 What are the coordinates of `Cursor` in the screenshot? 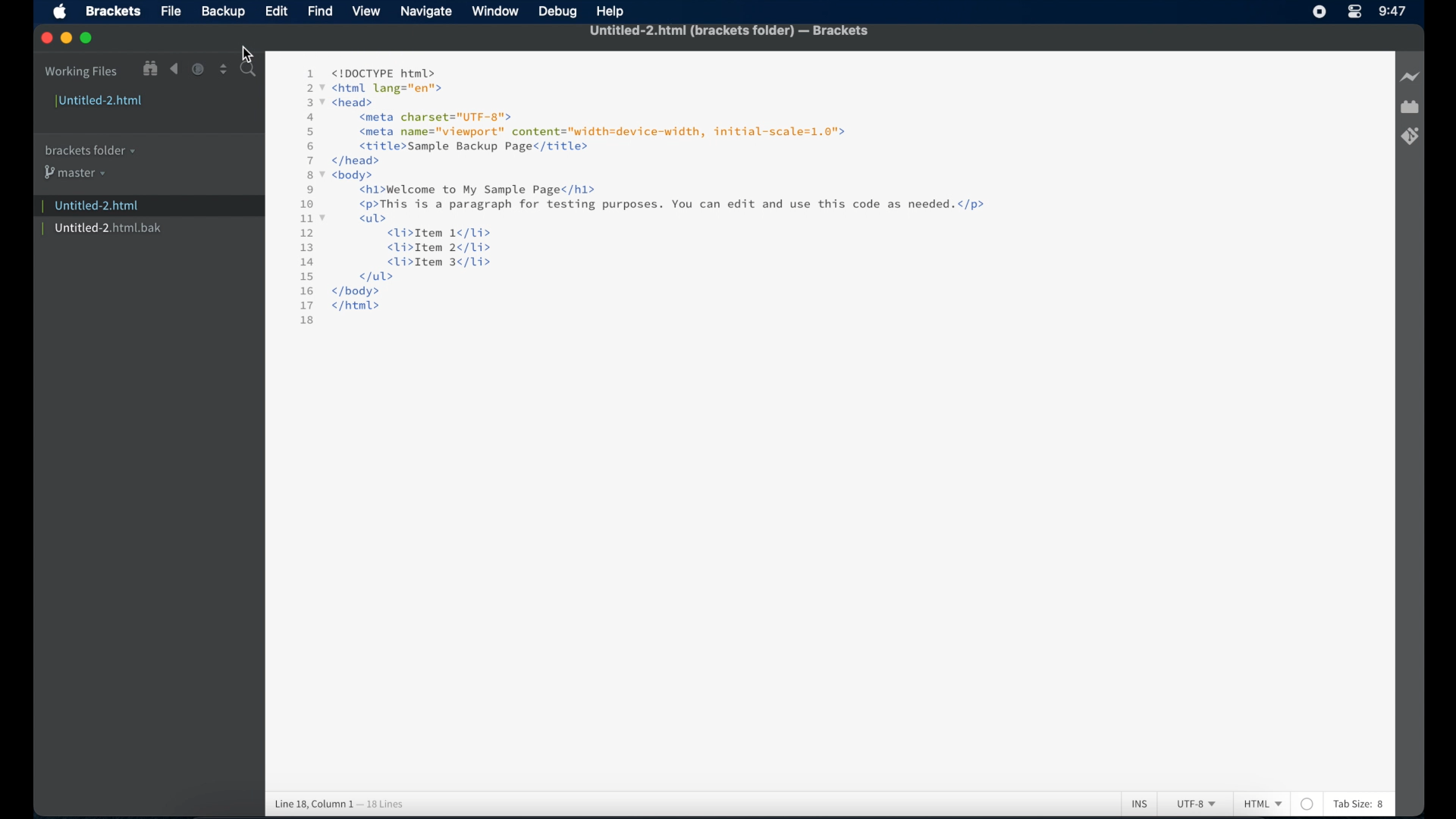 It's located at (247, 56).